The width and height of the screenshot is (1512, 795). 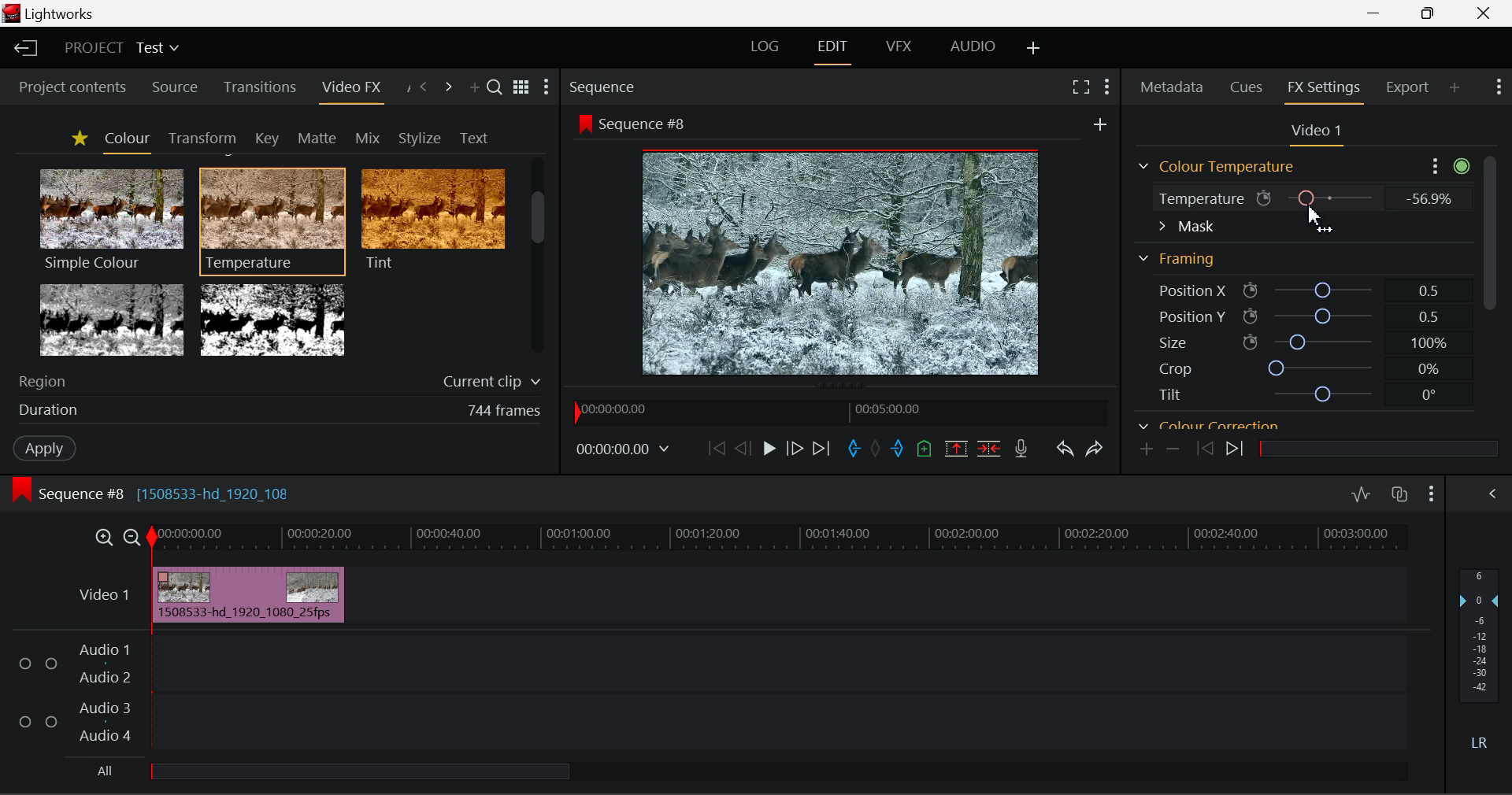 I want to click on Mix, so click(x=369, y=135).